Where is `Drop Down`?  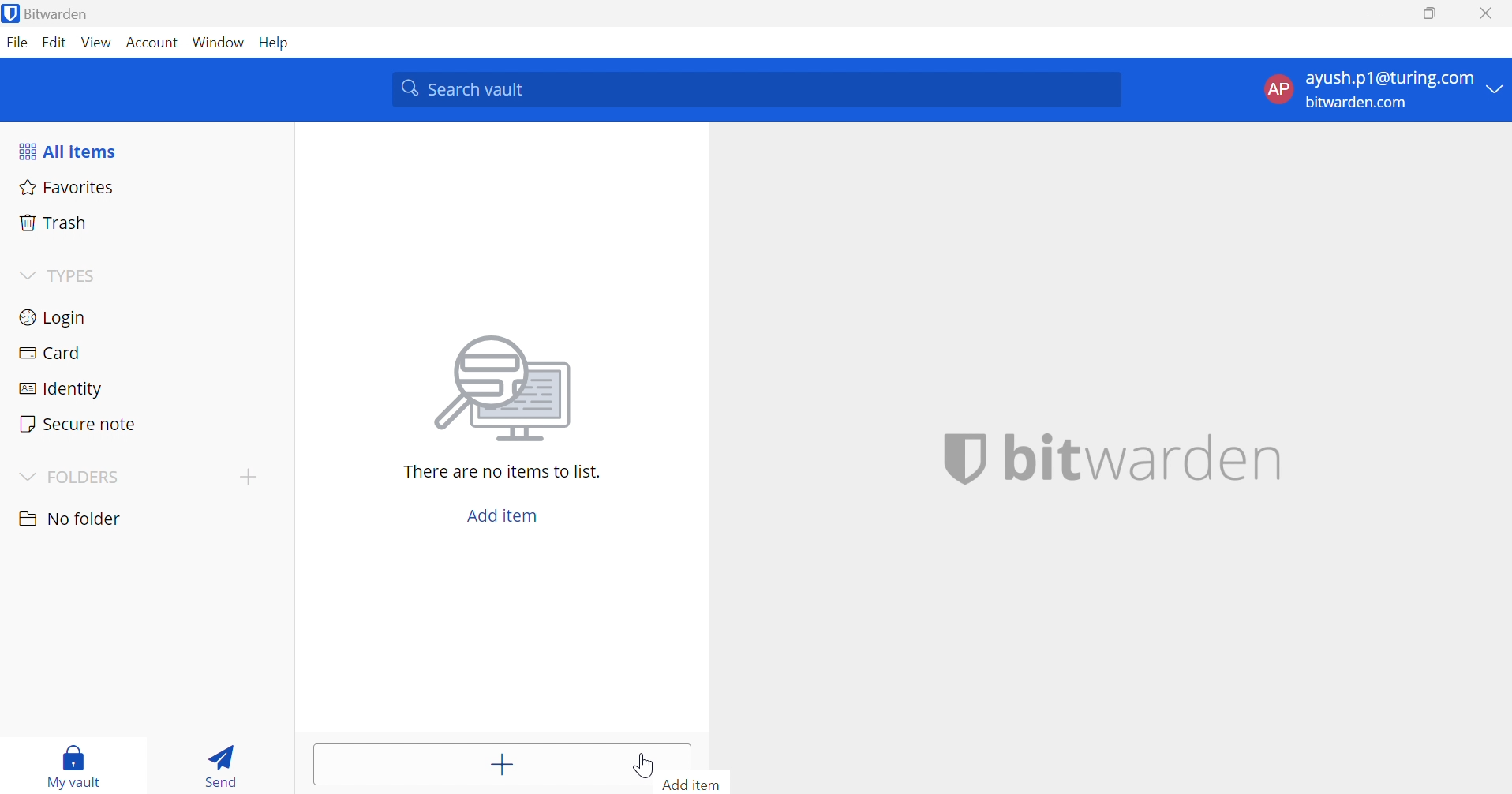
Drop Down is located at coordinates (27, 275).